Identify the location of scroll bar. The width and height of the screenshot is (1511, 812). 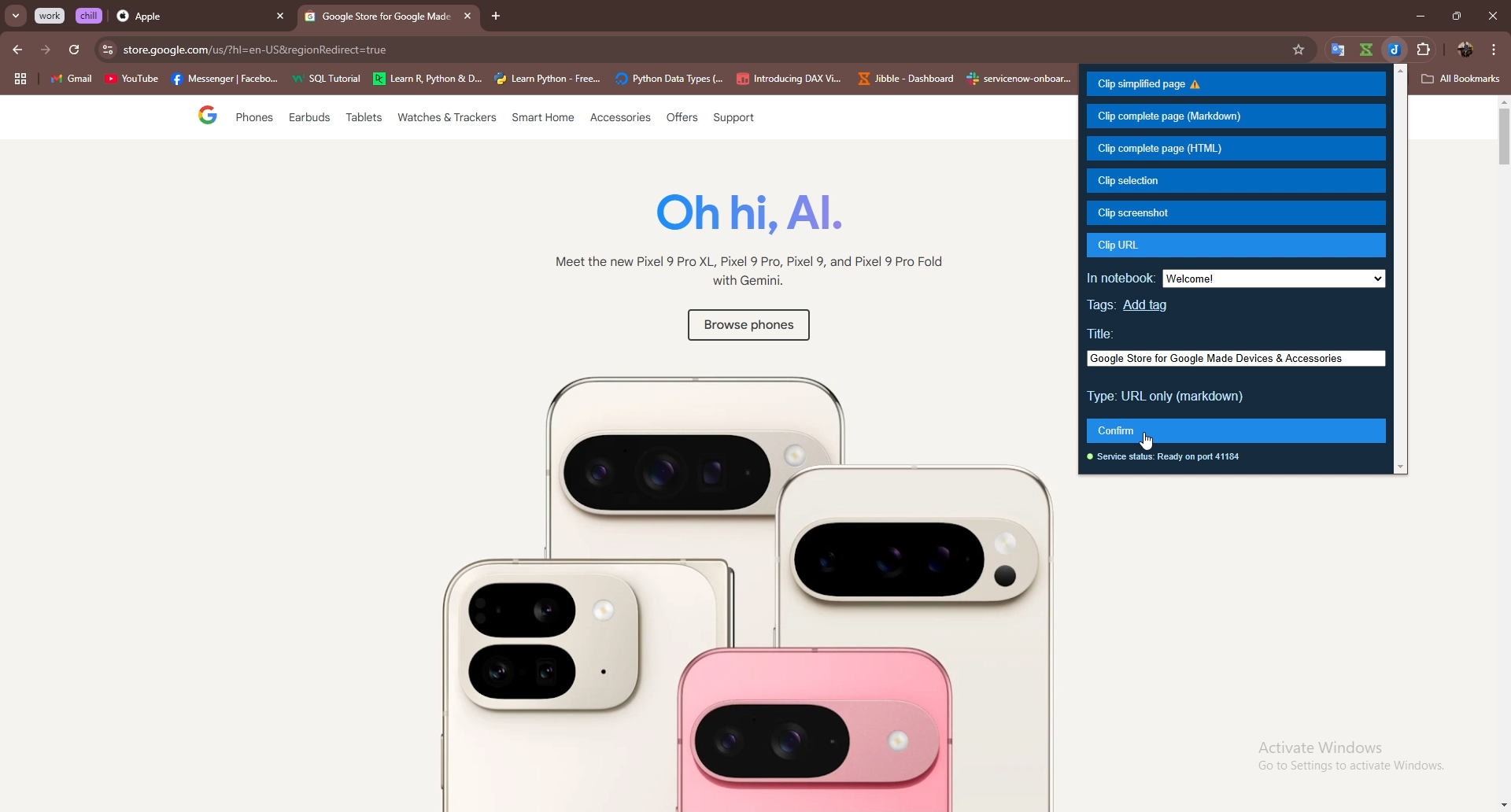
(1402, 270).